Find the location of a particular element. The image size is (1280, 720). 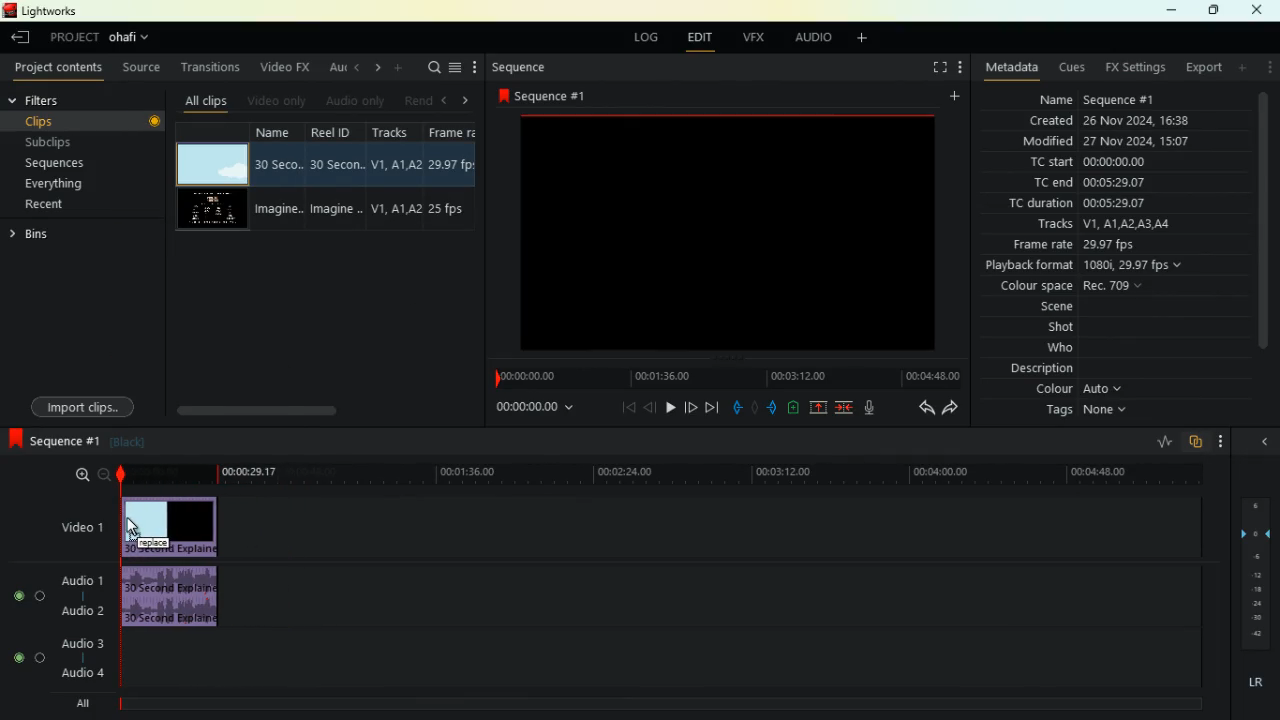

Cursor is located at coordinates (133, 528).